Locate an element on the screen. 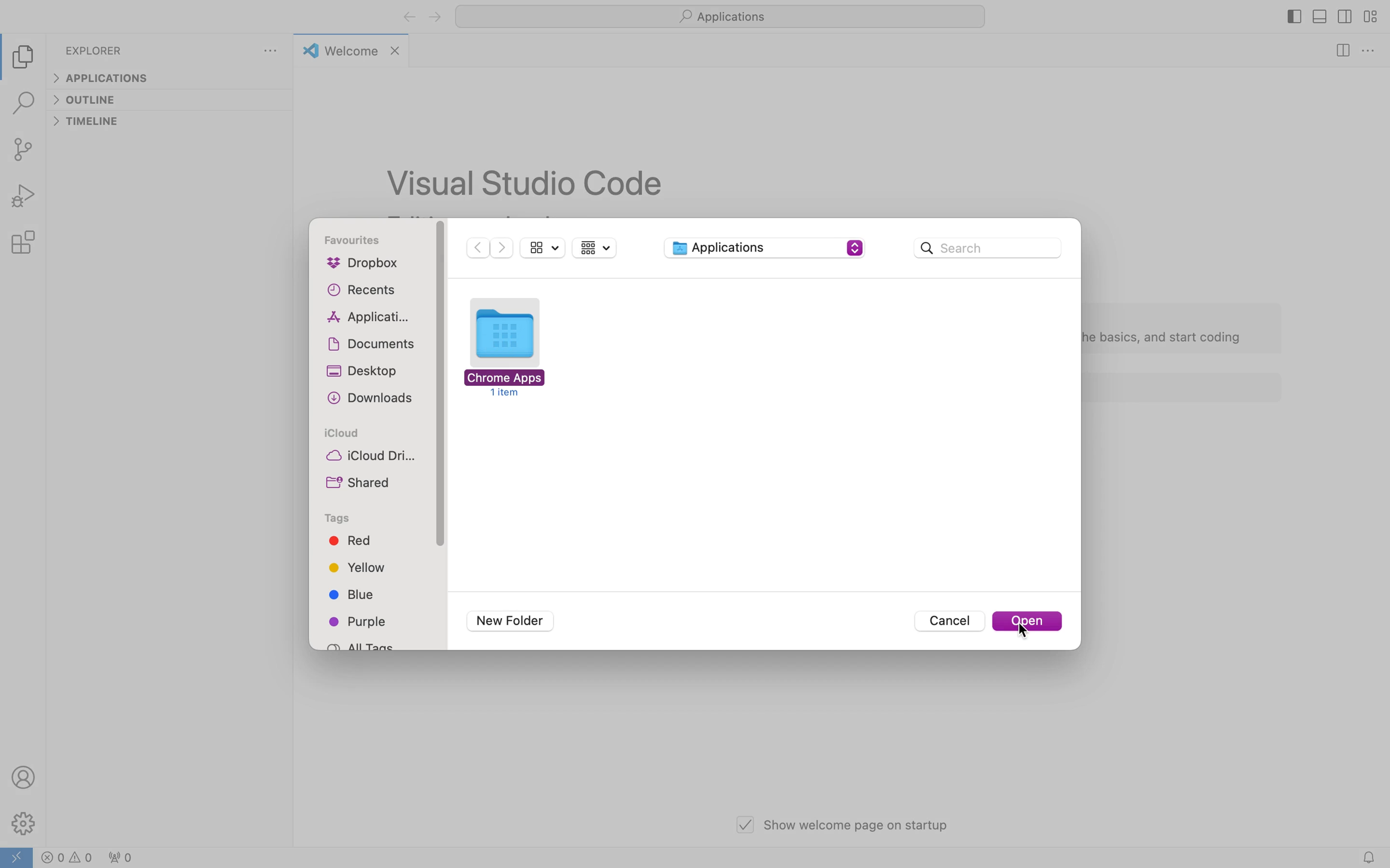 The height and width of the screenshot is (868, 1390). purple is located at coordinates (362, 622).